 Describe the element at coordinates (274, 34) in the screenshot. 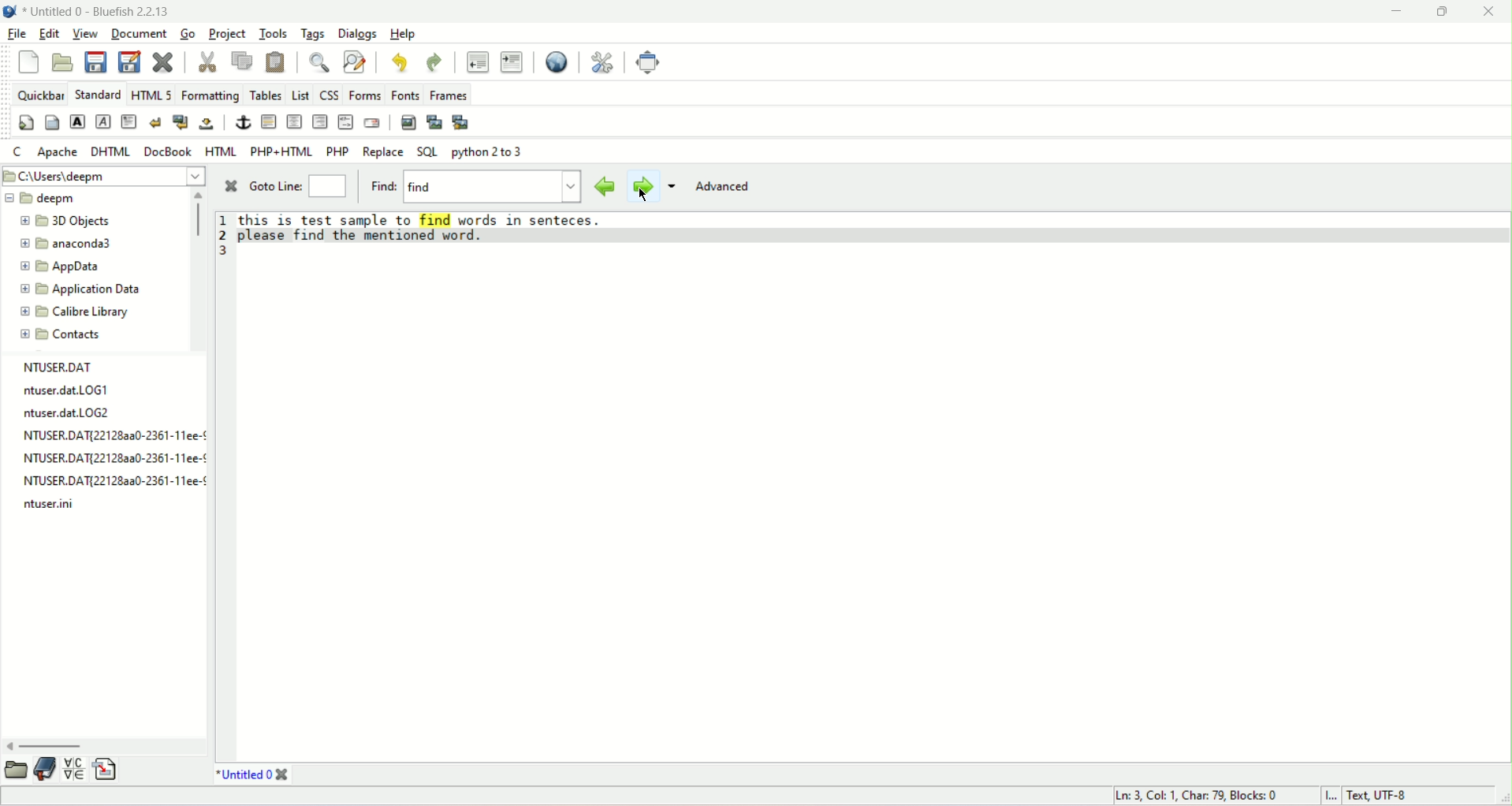

I see `tools` at that location.